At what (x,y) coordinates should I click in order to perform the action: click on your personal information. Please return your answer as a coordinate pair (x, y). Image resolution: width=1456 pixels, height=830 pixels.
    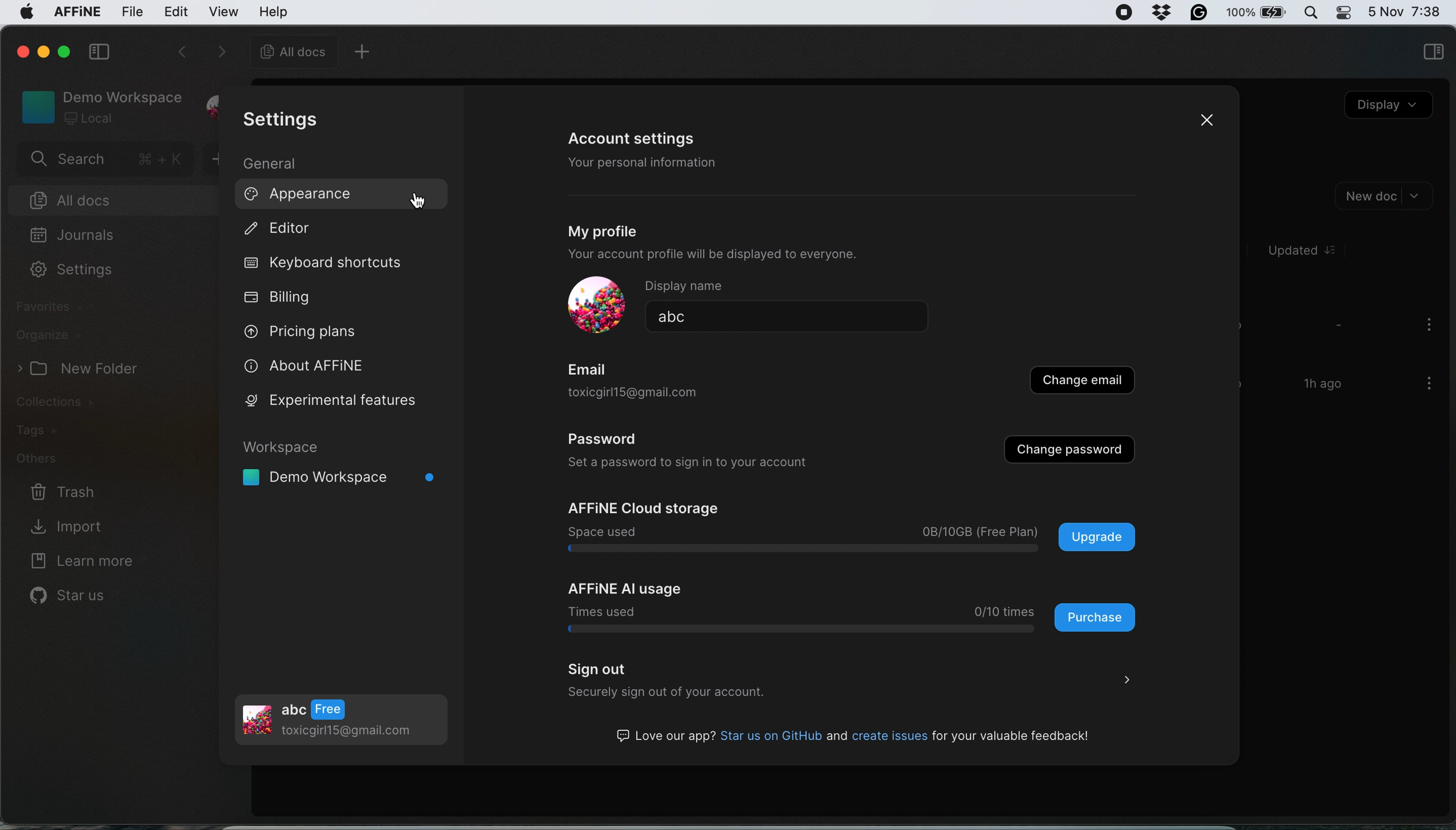
    Looking at the image, I should click on (650, 162).